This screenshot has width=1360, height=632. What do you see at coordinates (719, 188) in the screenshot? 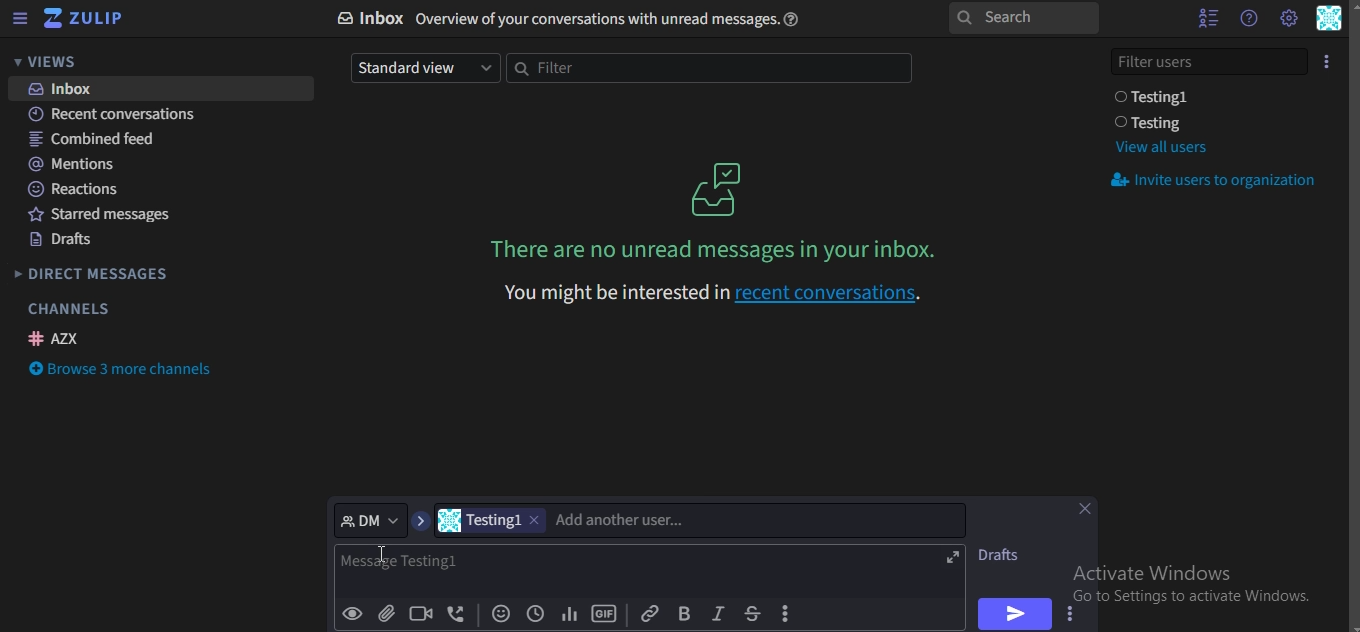
I see `icon` at bounding box center [719, 188].